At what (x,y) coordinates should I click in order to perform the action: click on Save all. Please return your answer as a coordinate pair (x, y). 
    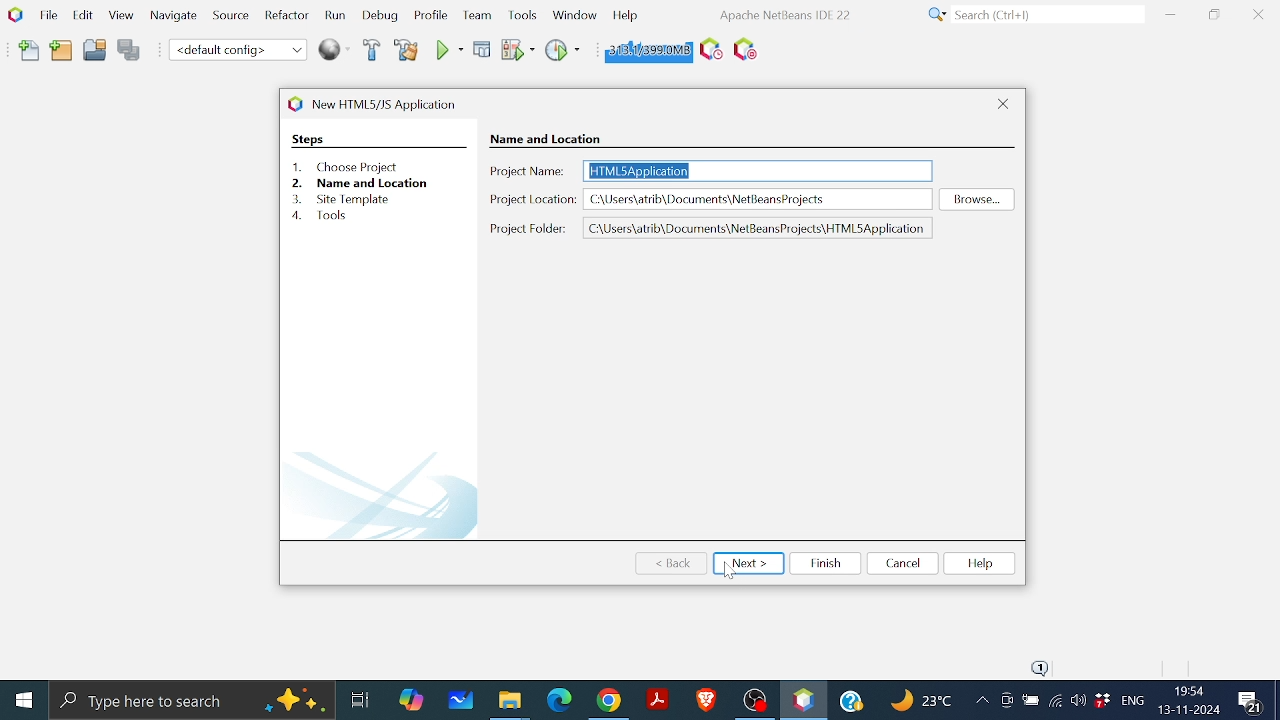
    Looking at the image, I should click on (129, 51).